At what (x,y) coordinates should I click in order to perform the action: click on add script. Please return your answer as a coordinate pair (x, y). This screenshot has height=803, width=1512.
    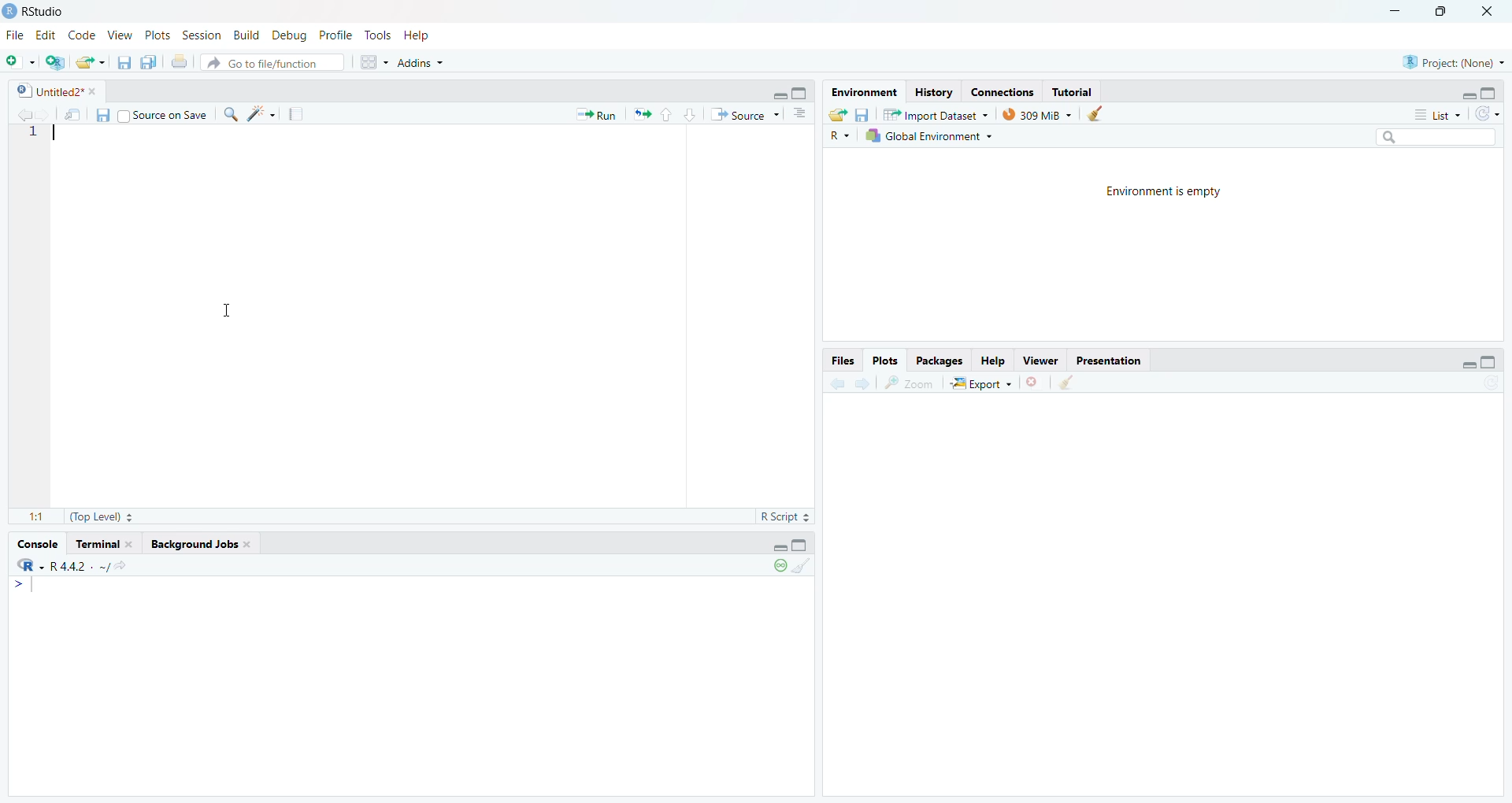
    Looking at the image, I should click on (52, 62).